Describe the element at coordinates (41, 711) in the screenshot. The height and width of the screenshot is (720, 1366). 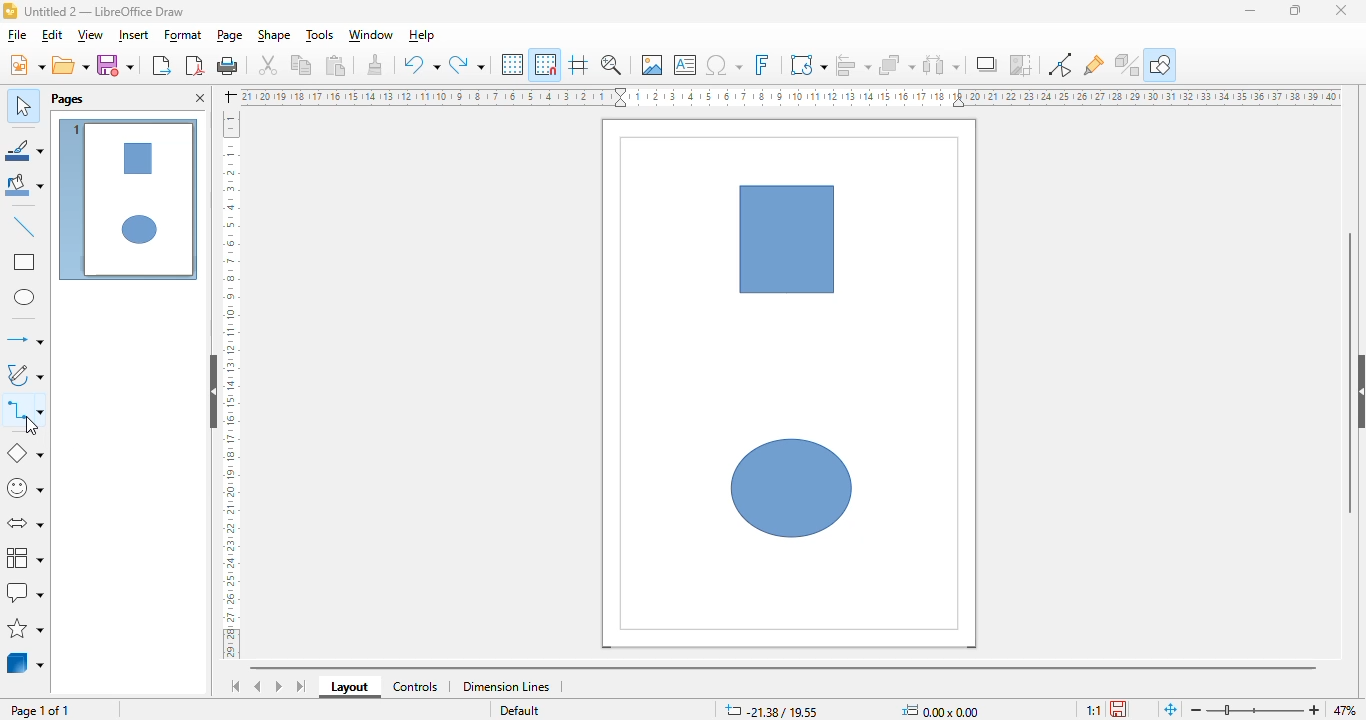
I see `page 1 of 1` at that location.